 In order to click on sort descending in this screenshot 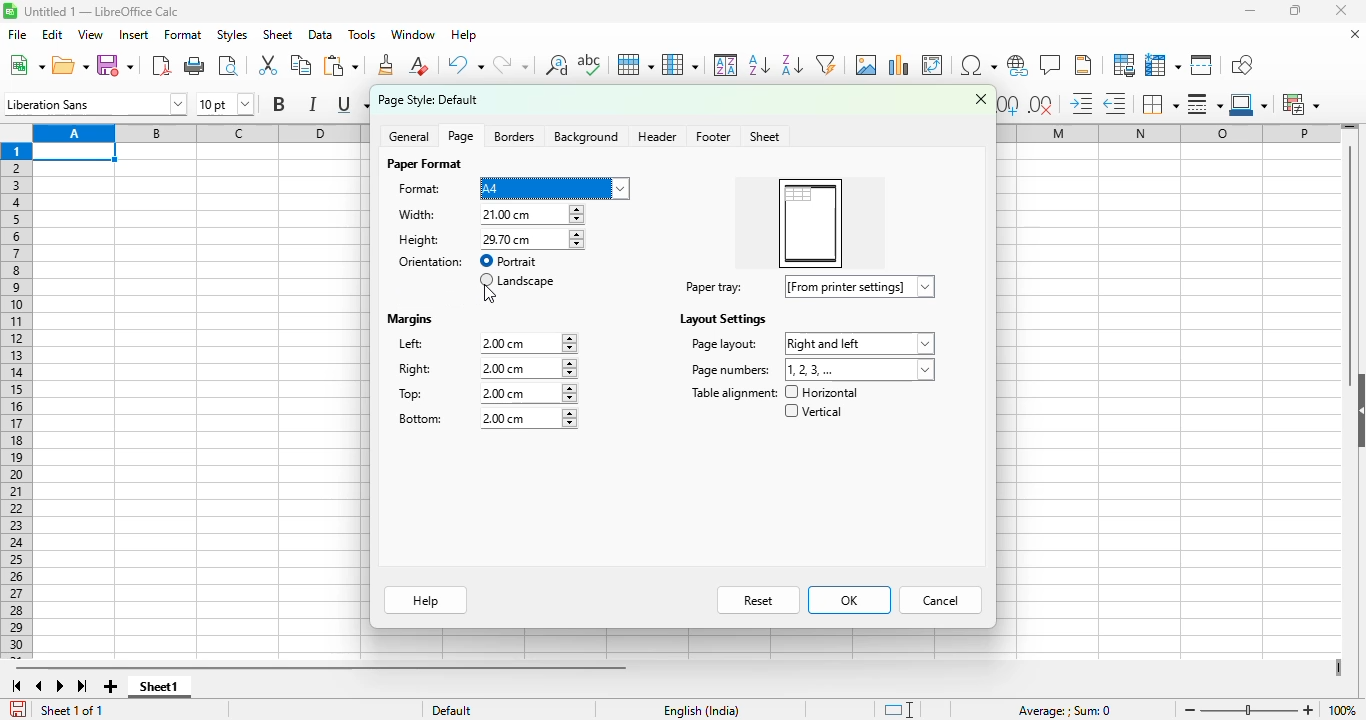, I will do `click(792, 65)`.